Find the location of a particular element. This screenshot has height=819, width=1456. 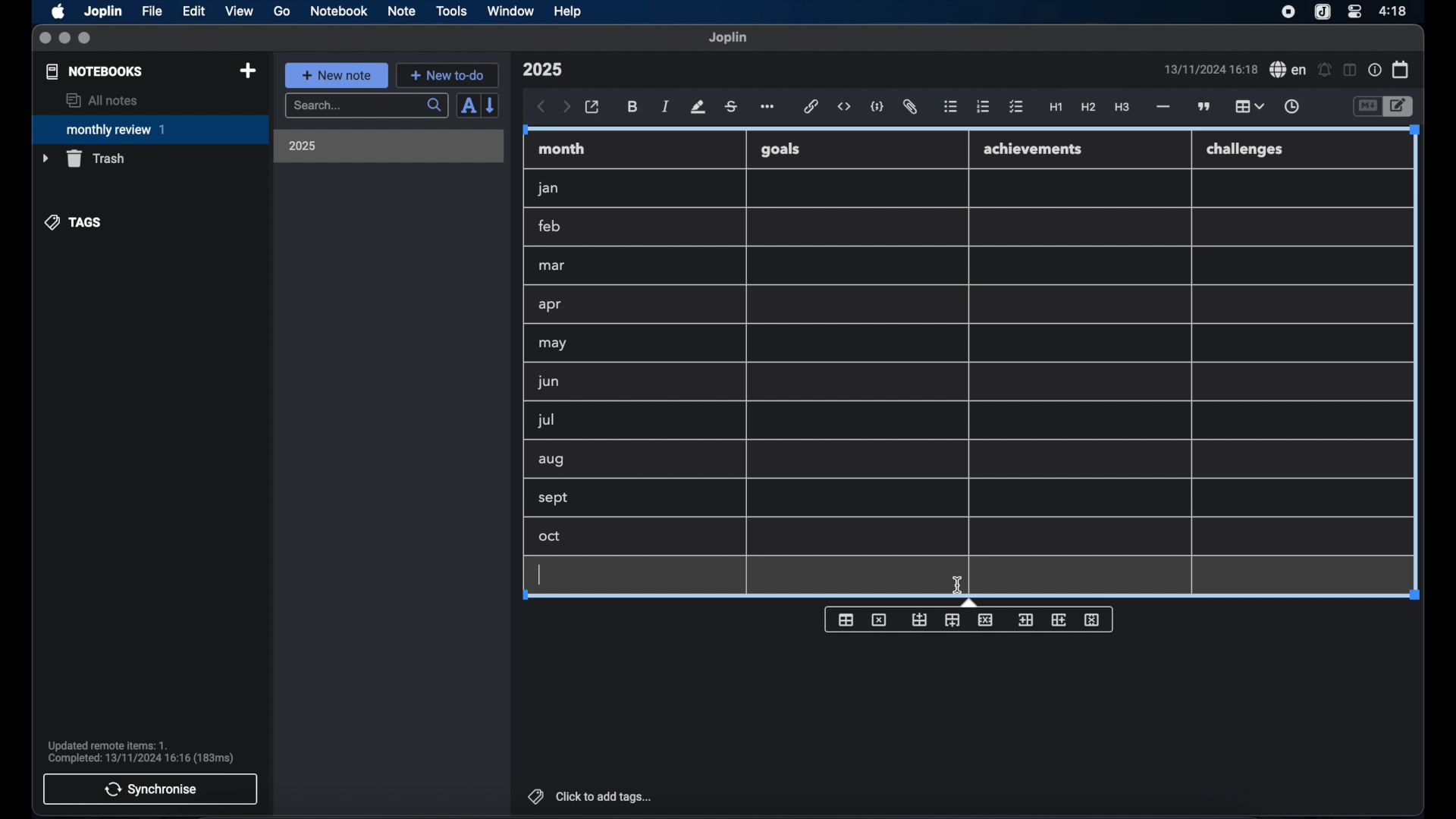

new to-do is located at coordinates (448, 75).